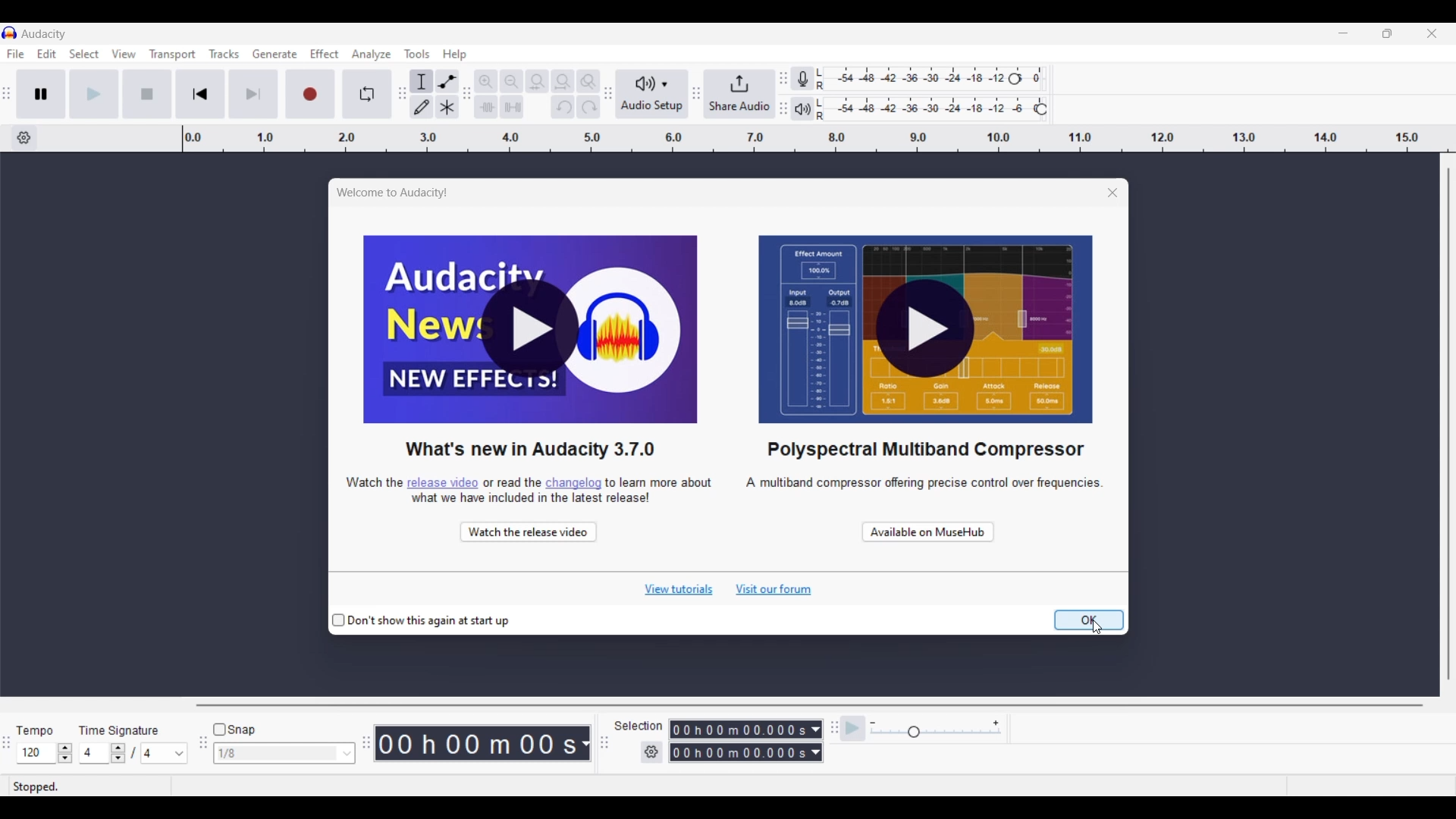 Image resolution: width=1456 pixels, height=819 pixels. What do you see at coordinates (454, 55) in the screenshot?
I see `Help menu` at bounding box center [454, 55].